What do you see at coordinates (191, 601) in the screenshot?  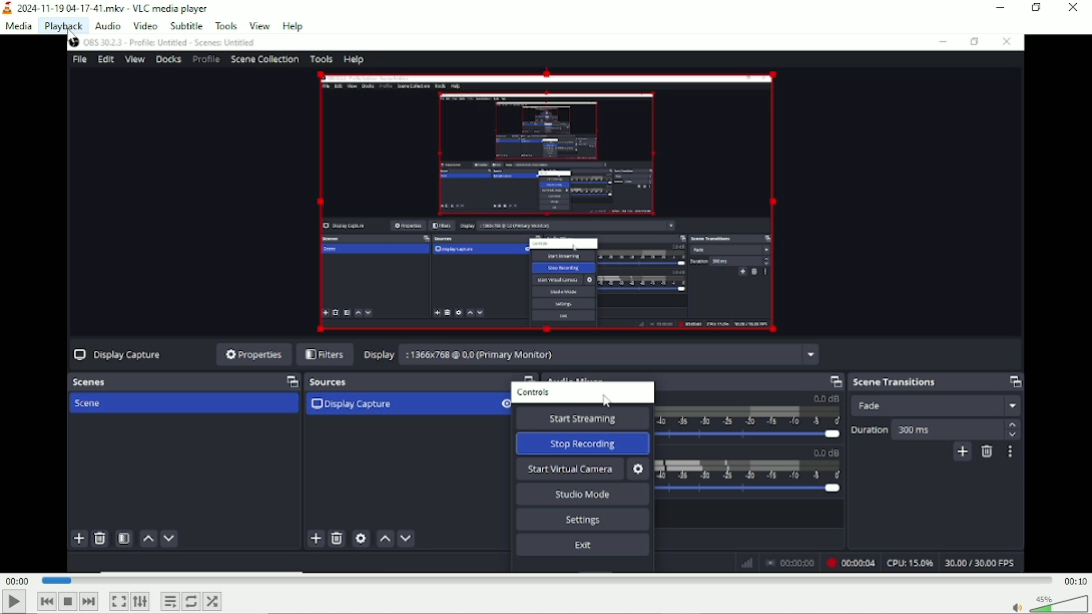 I see `Toggle between loop all, loop one and no loop` at bounding box center [191, 601].